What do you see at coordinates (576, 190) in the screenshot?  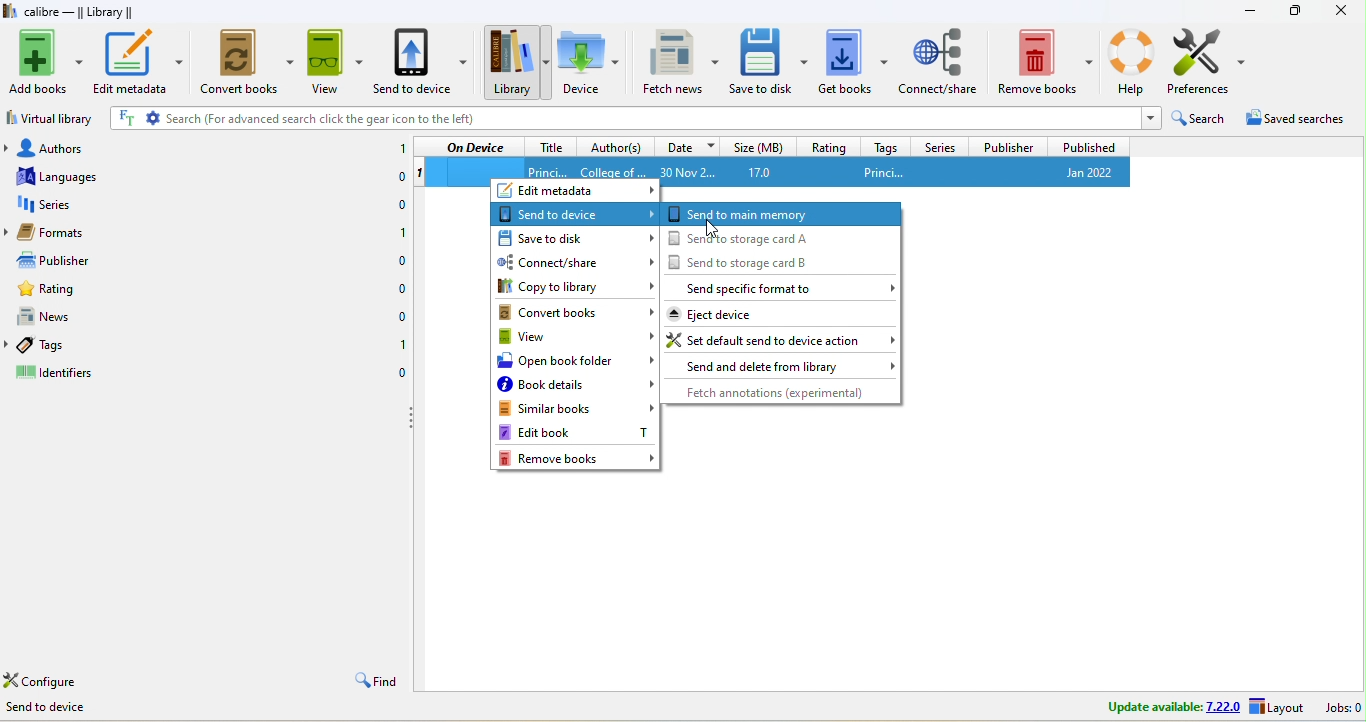 I see `edit metadata` at bounding box center [576, 190].